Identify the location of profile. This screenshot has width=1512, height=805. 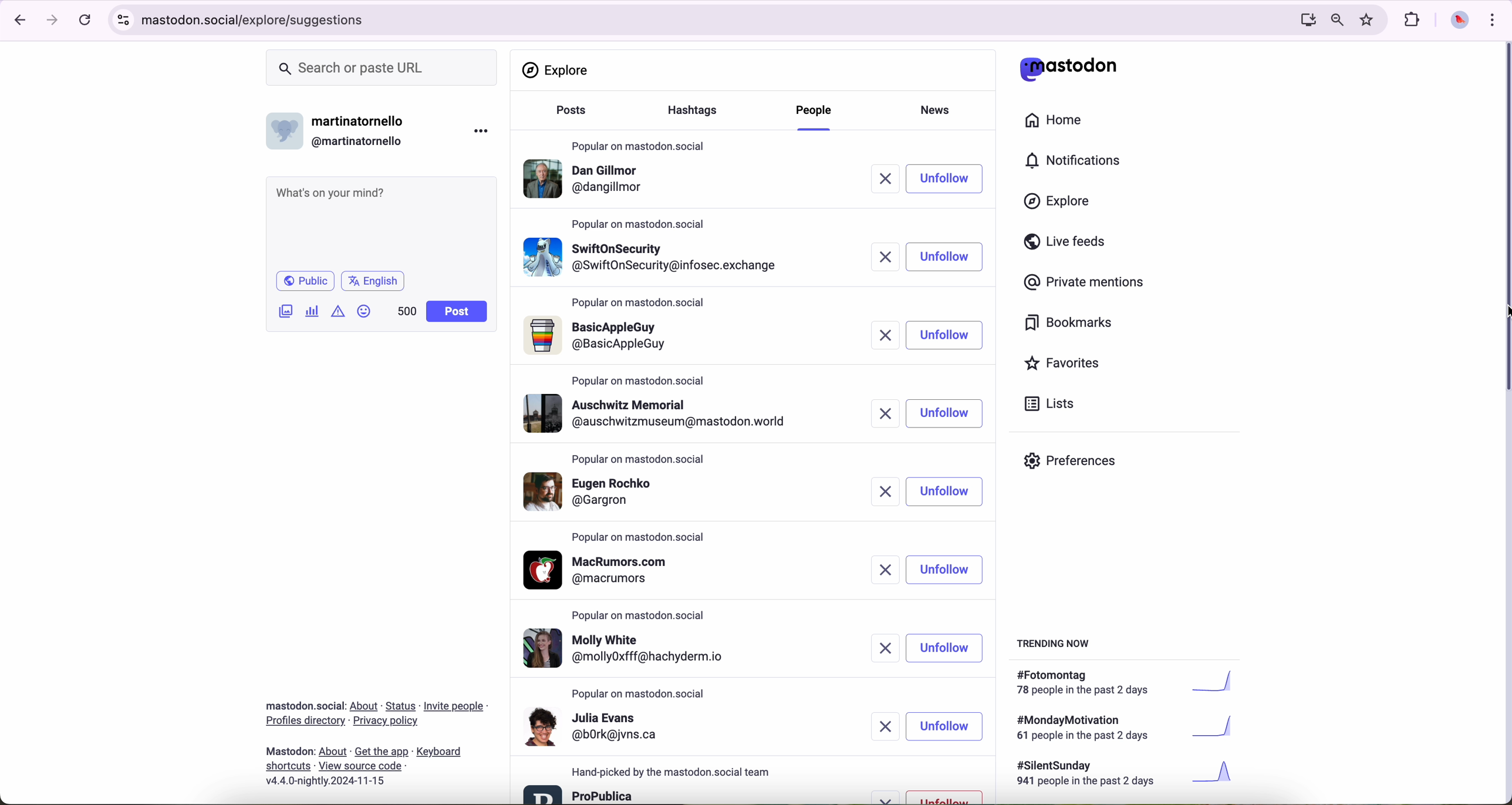
(662, 413).